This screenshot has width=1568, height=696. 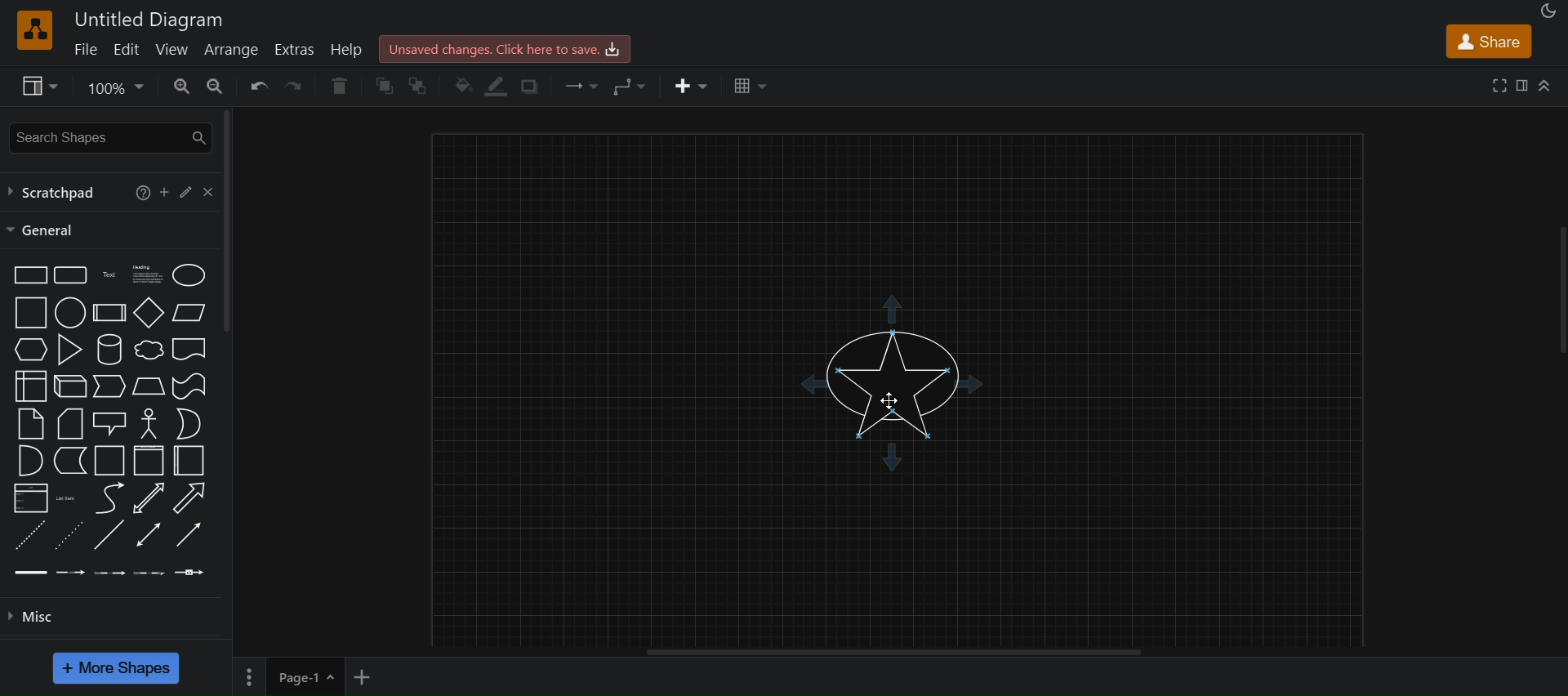 What do you see at coordinates (148, 386) in the screenshot?
I see `trapezoid` at bounding box center [148, 386].